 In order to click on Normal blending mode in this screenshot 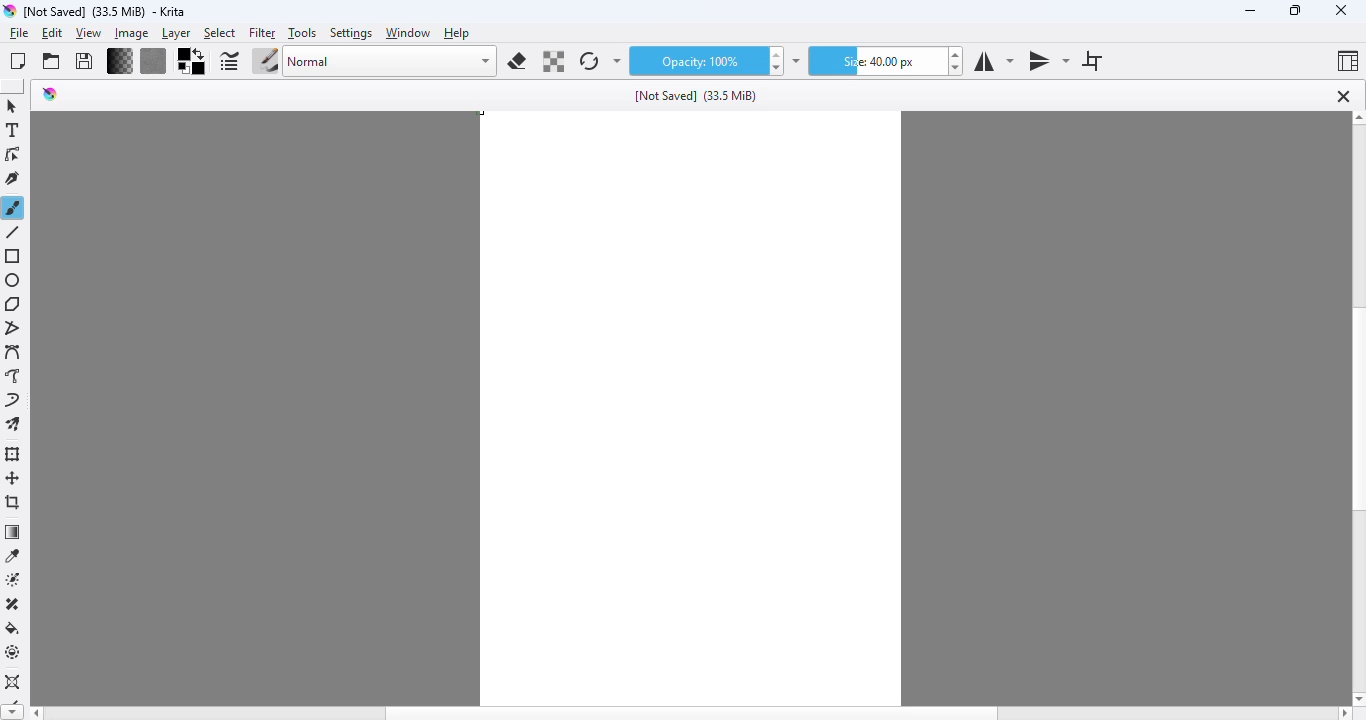, I will do `click(392, 61)`.